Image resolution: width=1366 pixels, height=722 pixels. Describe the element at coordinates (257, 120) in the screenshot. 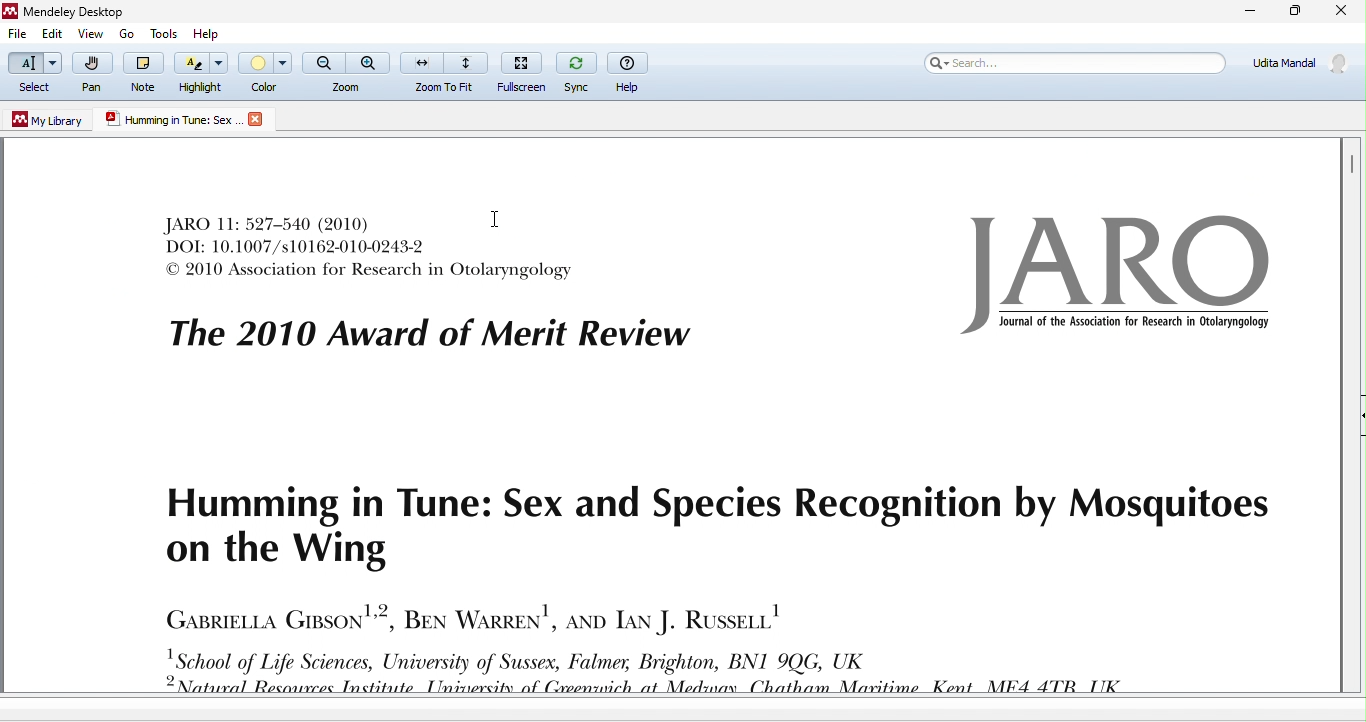

I see `close` at that location.